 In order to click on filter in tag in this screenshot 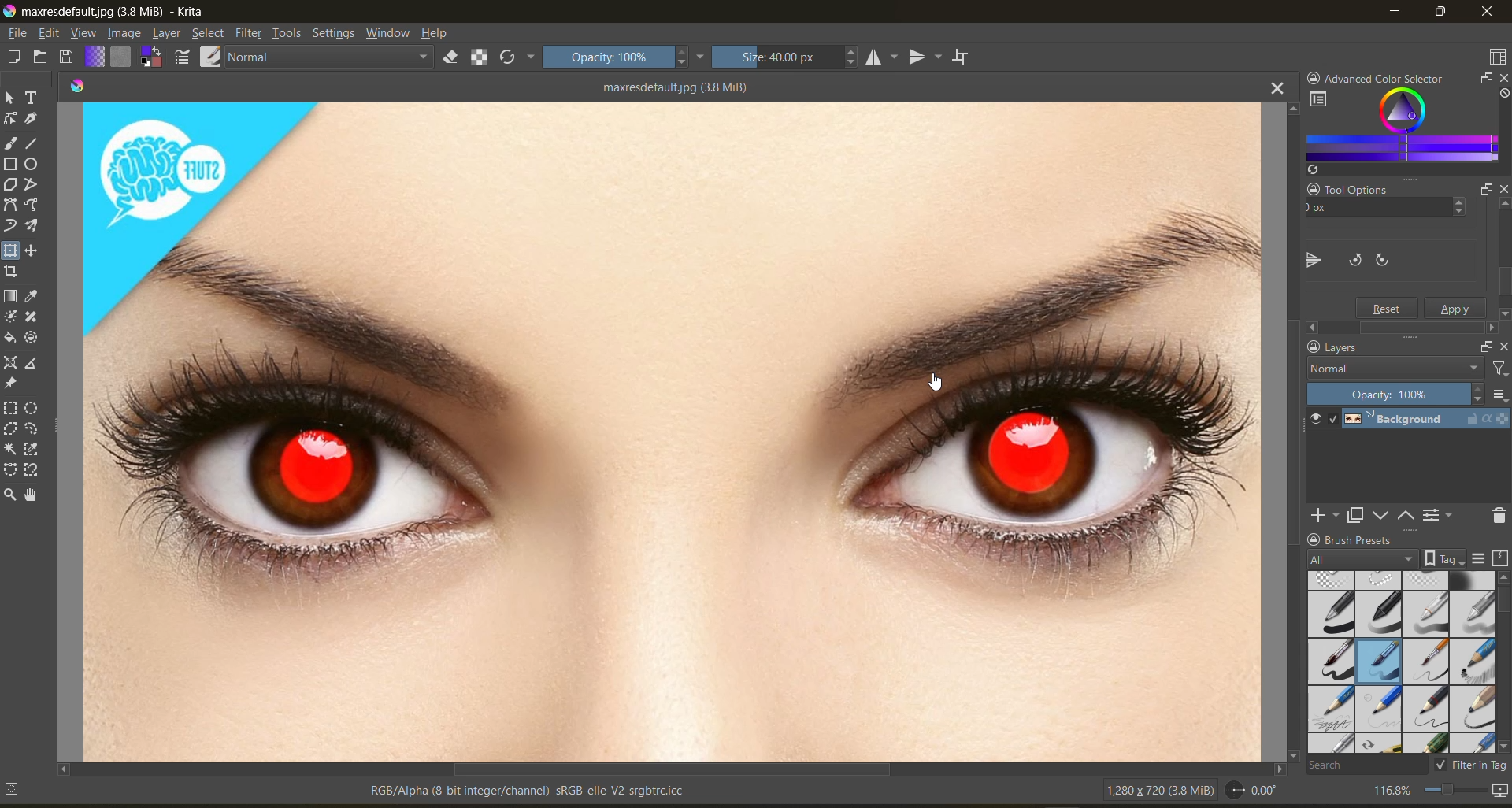, I will do `click(1473, 766)`.